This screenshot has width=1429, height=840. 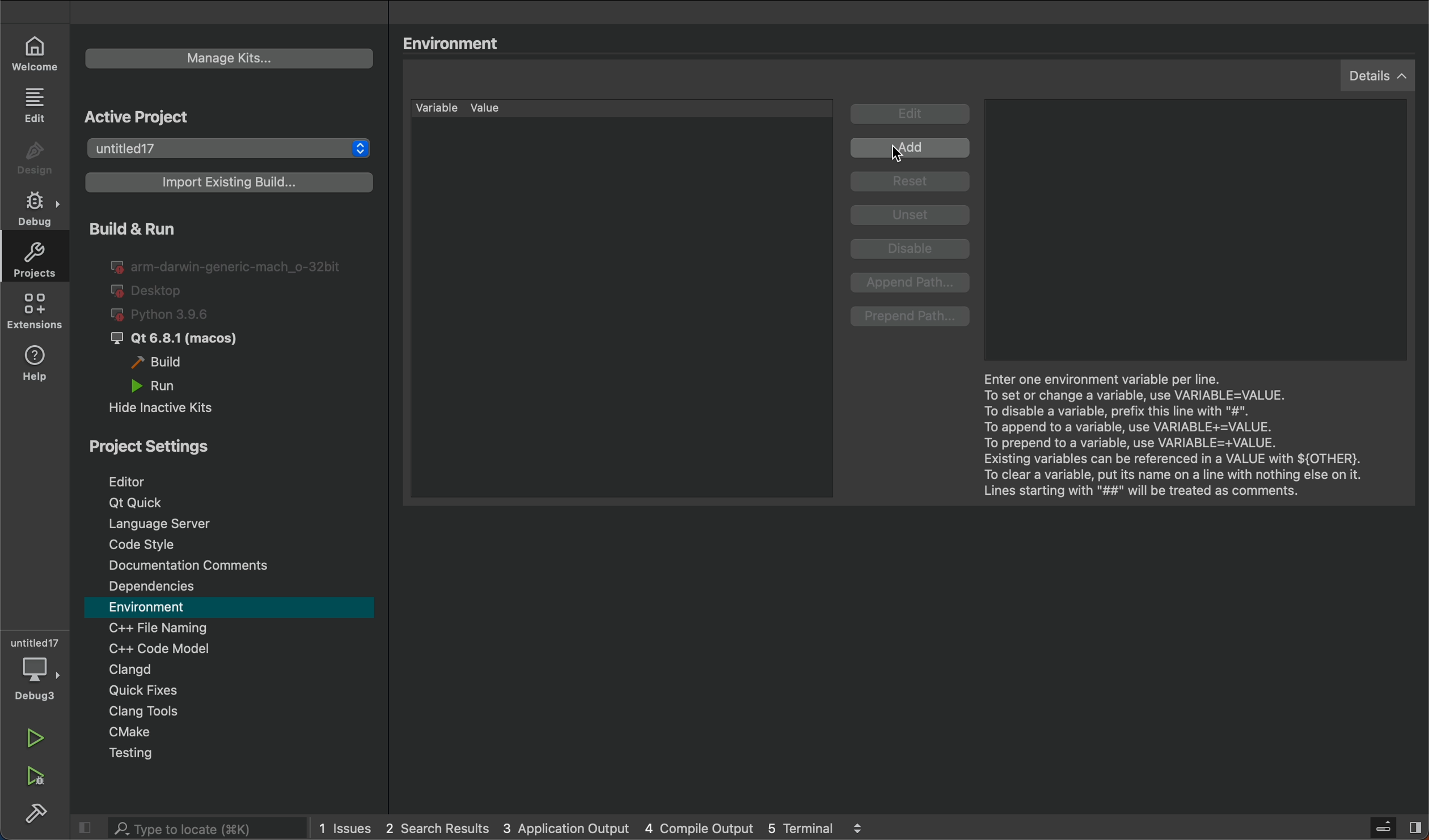 I want to click on Project Settings, so click(x=223, y=443).